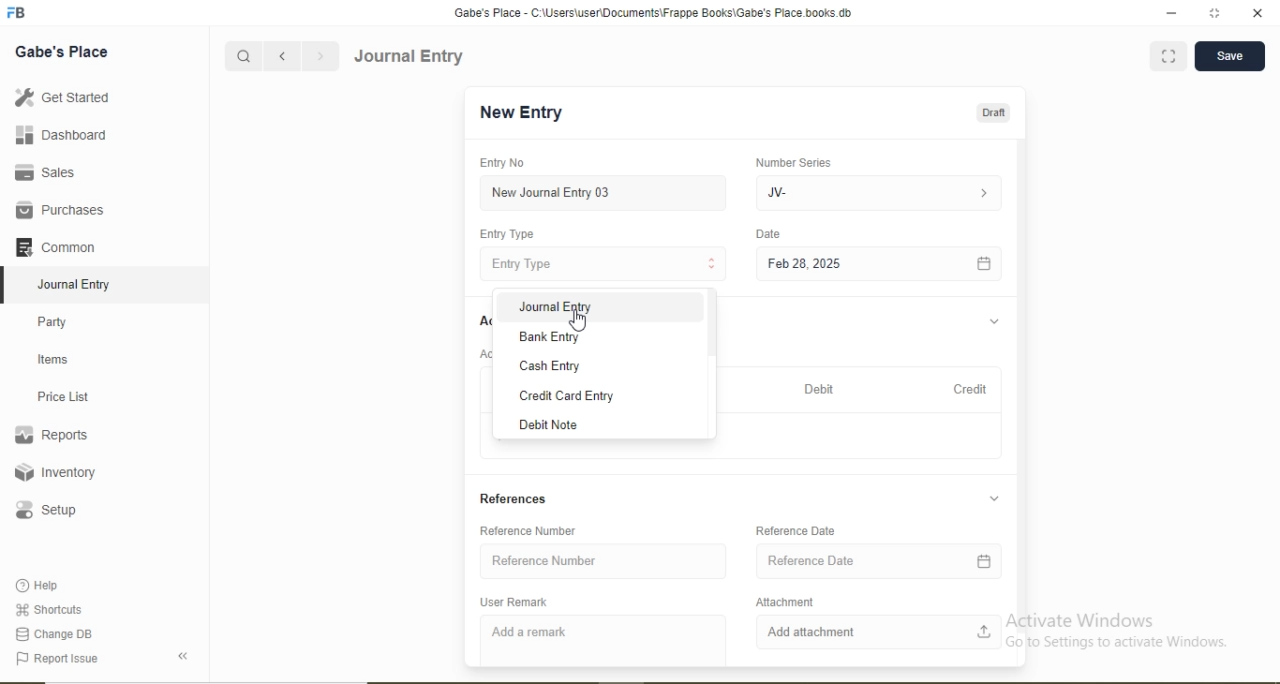  Describe the element at coordinates (513, 499) in the screenshot. I see `References` at that location.